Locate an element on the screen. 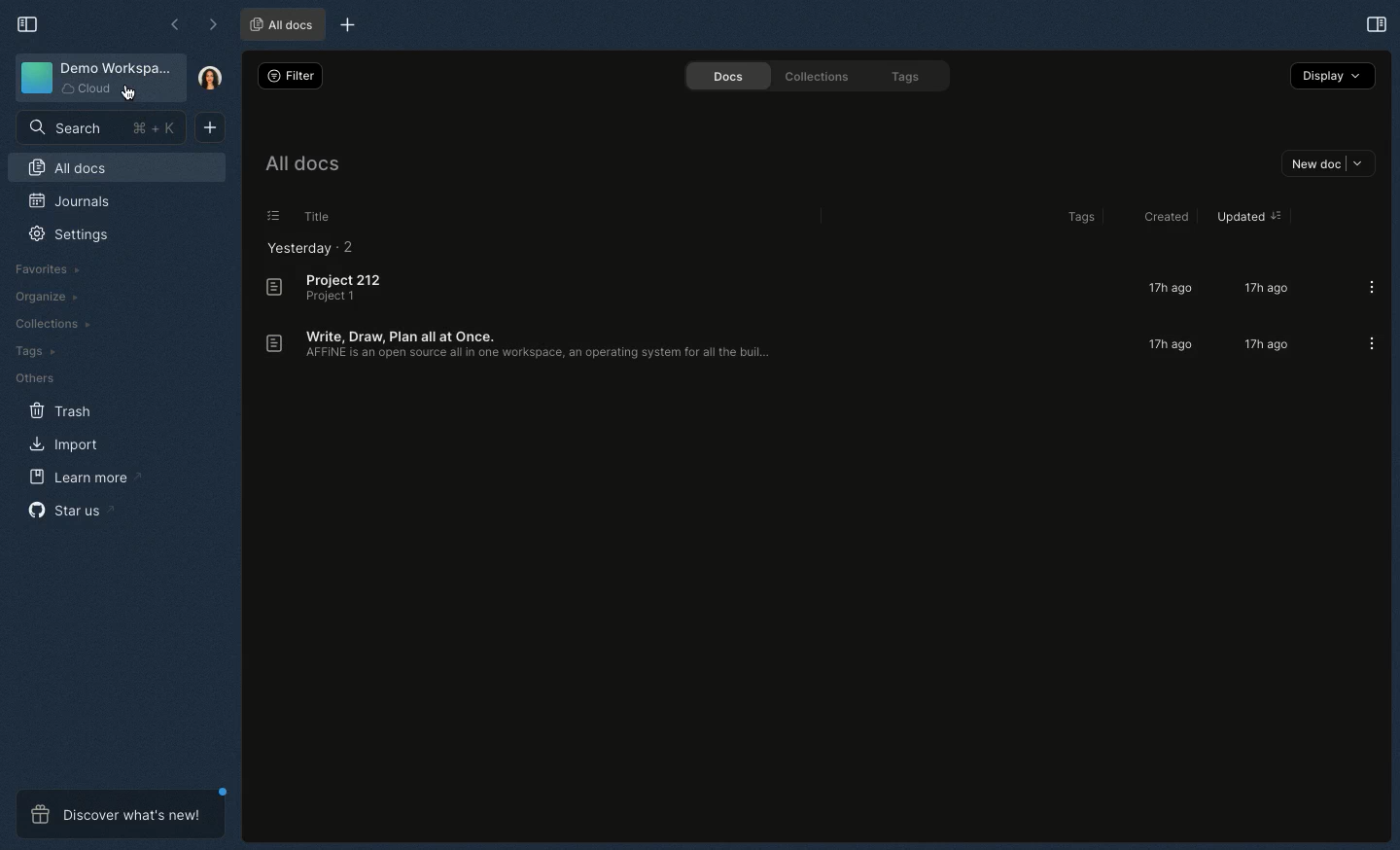 This screenshot has height=850, width=1400. 17h ago is located at coordinates (1262, 290).